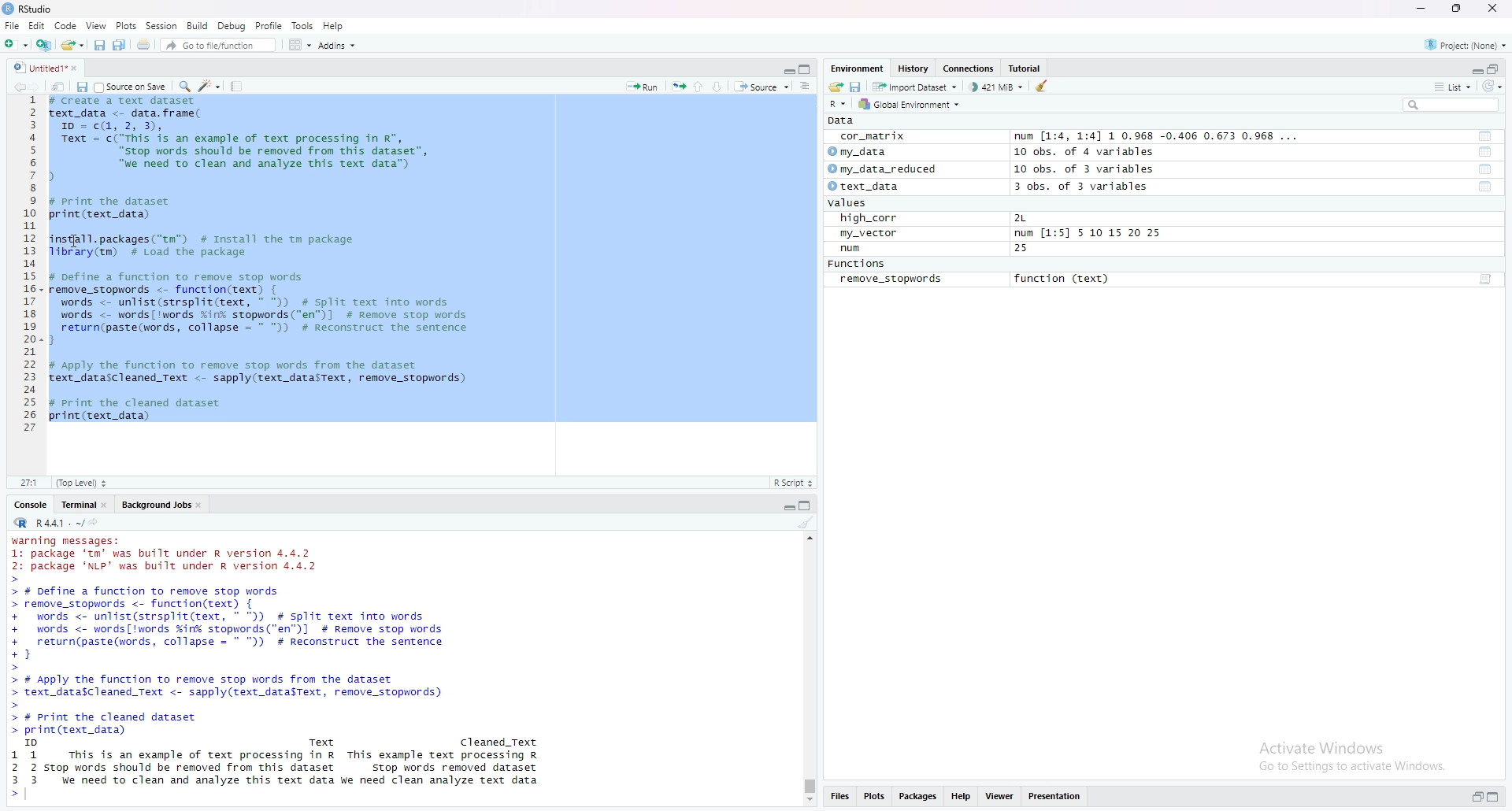 The image size is (1512, 811). I want to click on 10 obs. of 4 variables, so click(1084, 152).